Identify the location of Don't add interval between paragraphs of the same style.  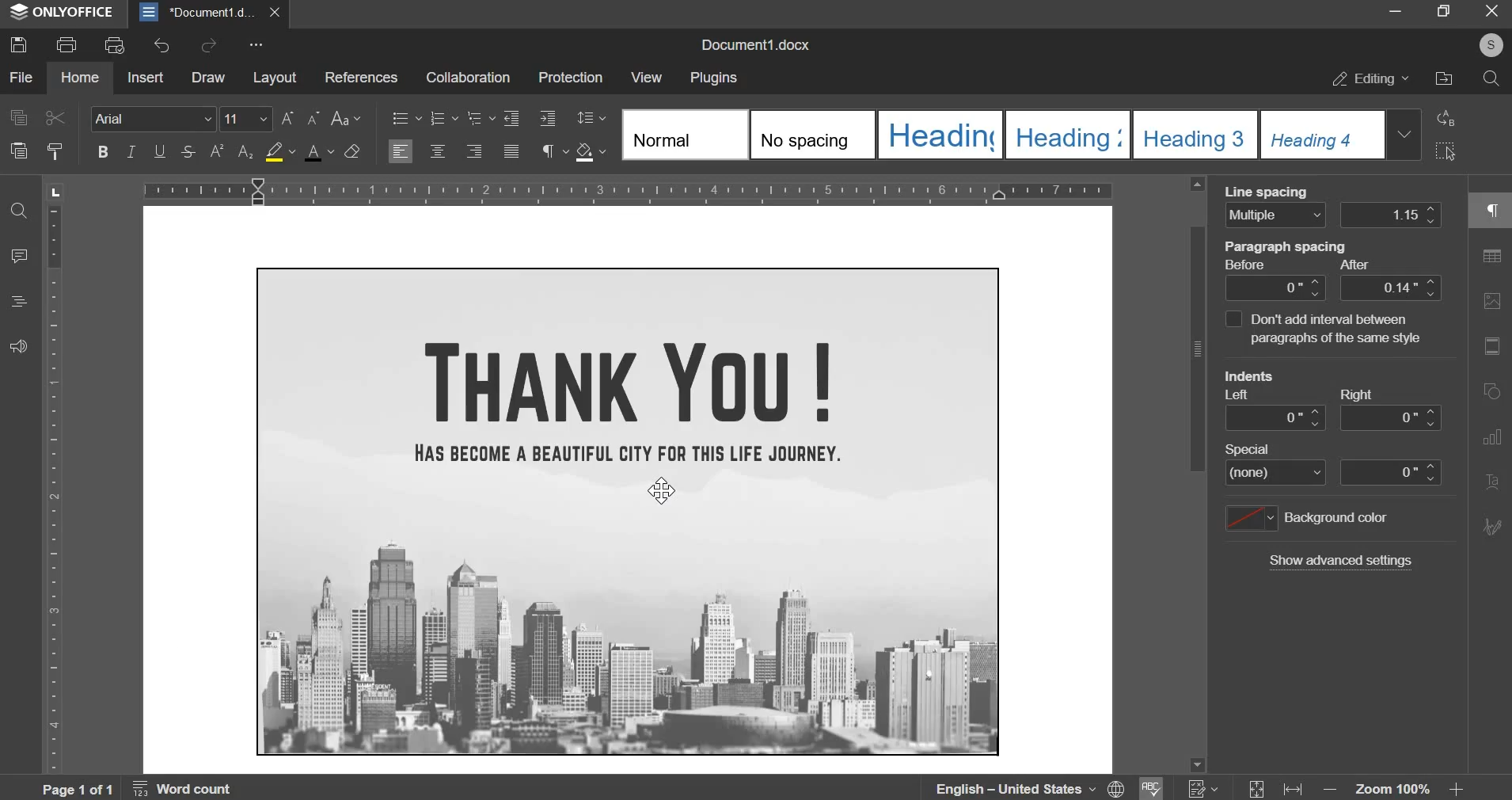
(1325, 330).